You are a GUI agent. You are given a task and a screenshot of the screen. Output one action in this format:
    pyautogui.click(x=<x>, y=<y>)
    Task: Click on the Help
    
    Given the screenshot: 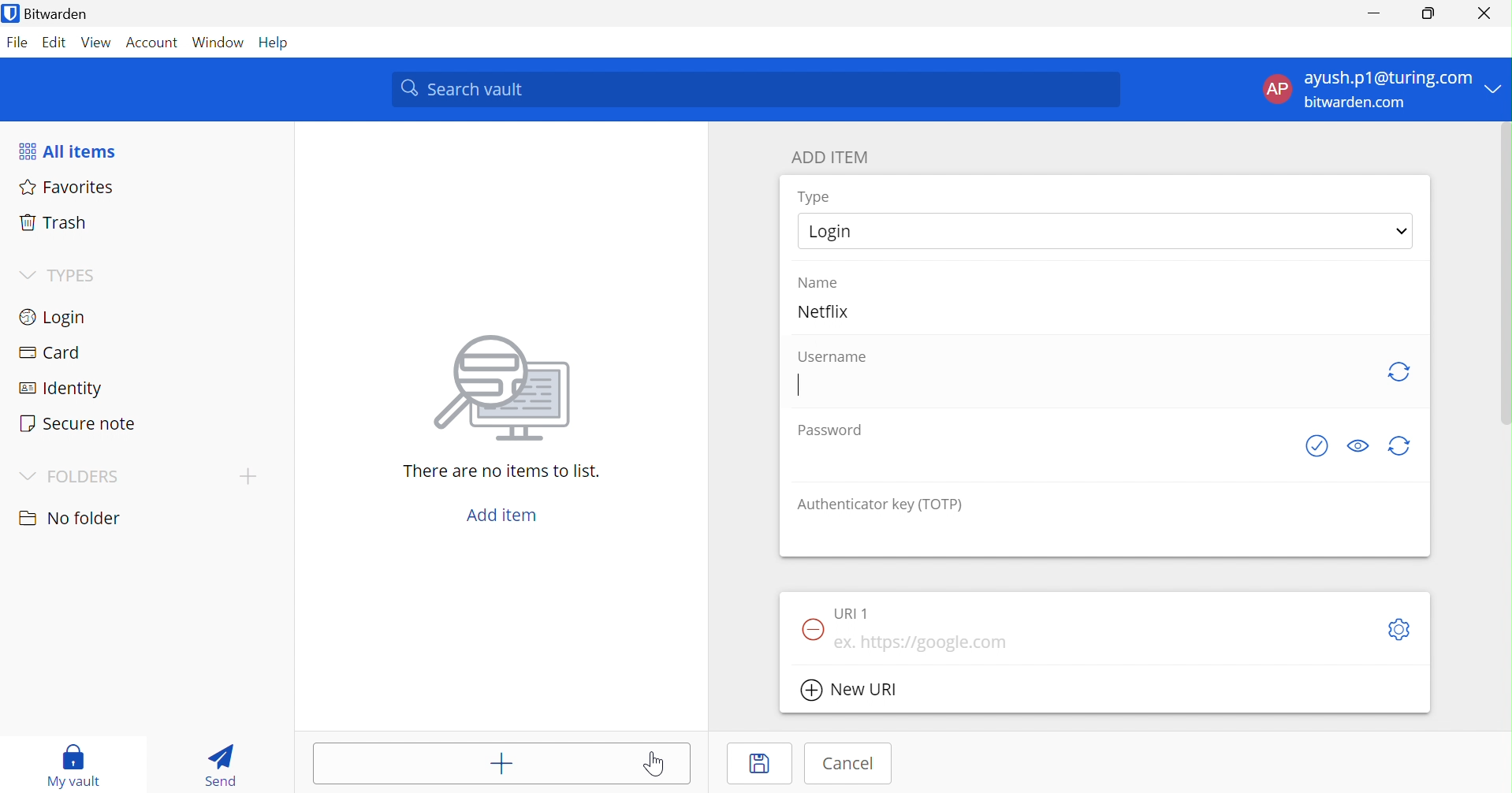 What is the action you would take?
    pyautogui.click(x=275, y=43)
    